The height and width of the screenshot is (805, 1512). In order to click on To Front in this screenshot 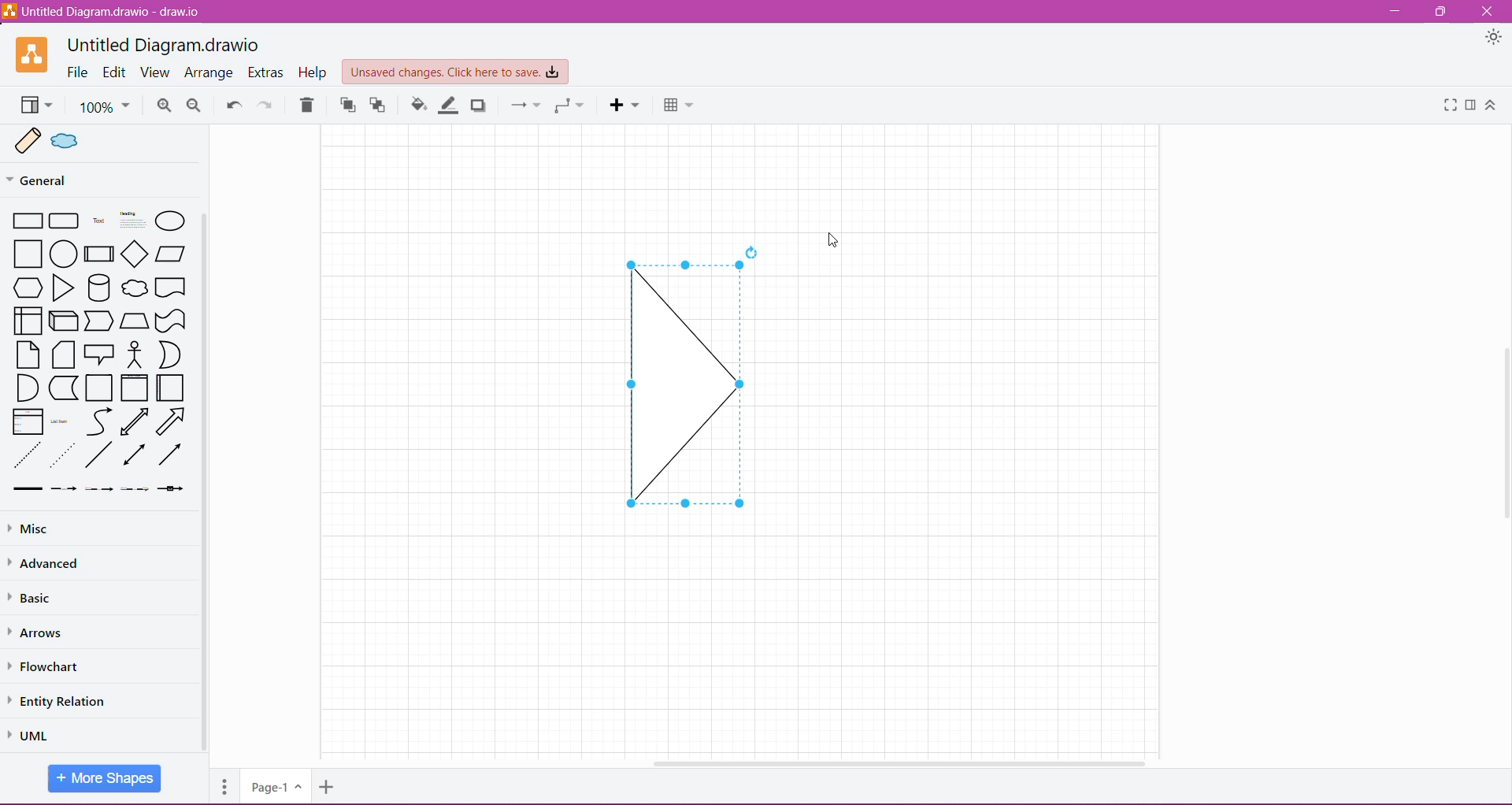, I will do `click(346, 106)`.